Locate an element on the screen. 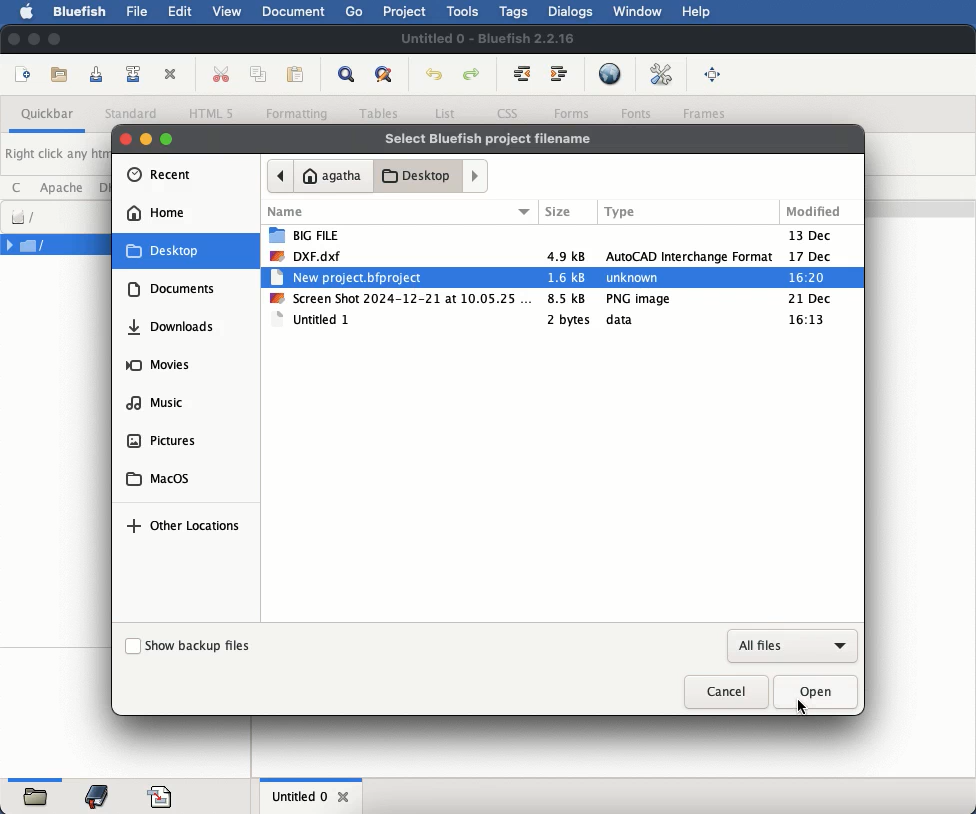  go is located at coordinates (355, 12).